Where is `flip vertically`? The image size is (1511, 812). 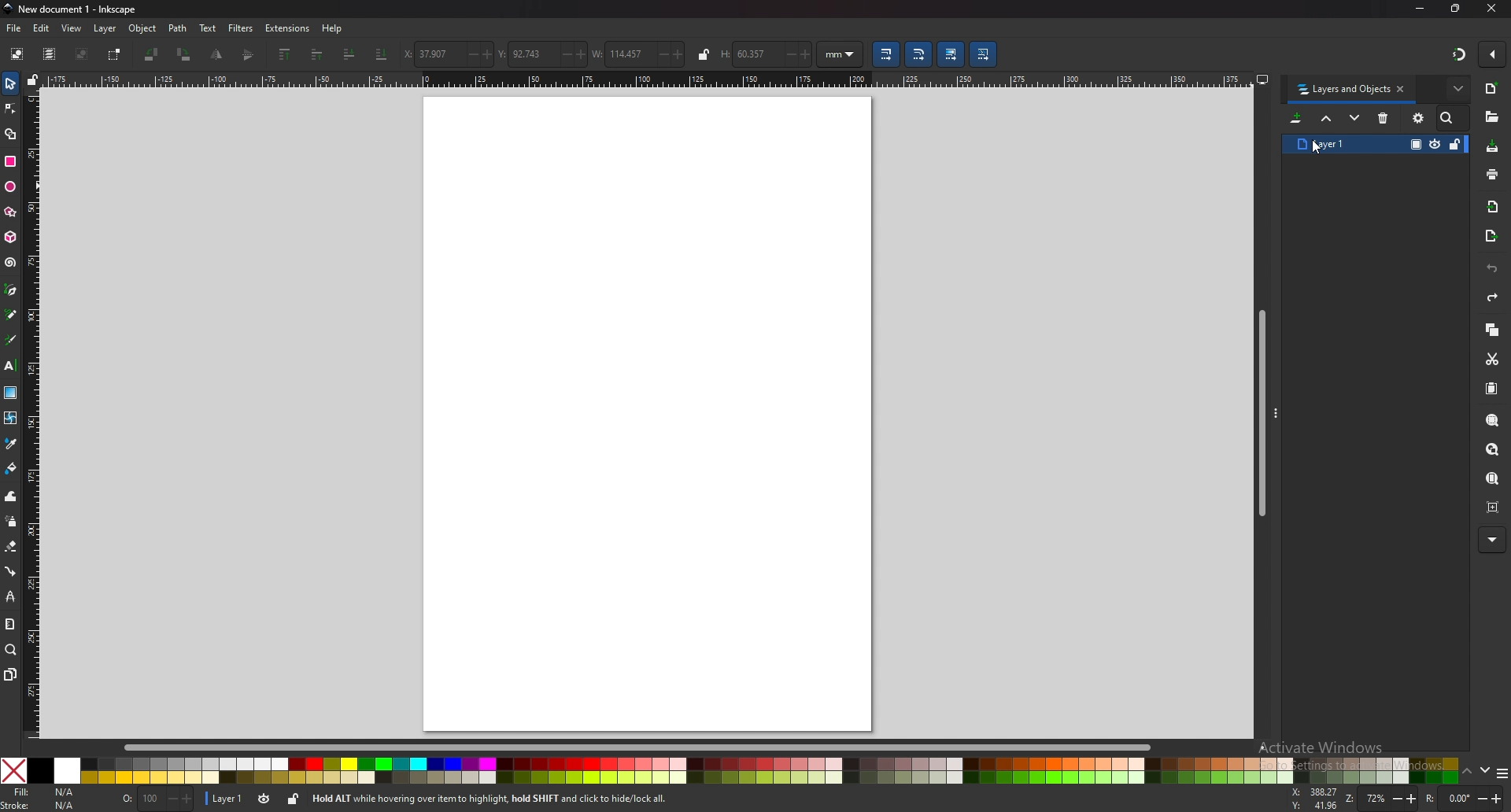 flip vertically is located at coordinates (218, 54).